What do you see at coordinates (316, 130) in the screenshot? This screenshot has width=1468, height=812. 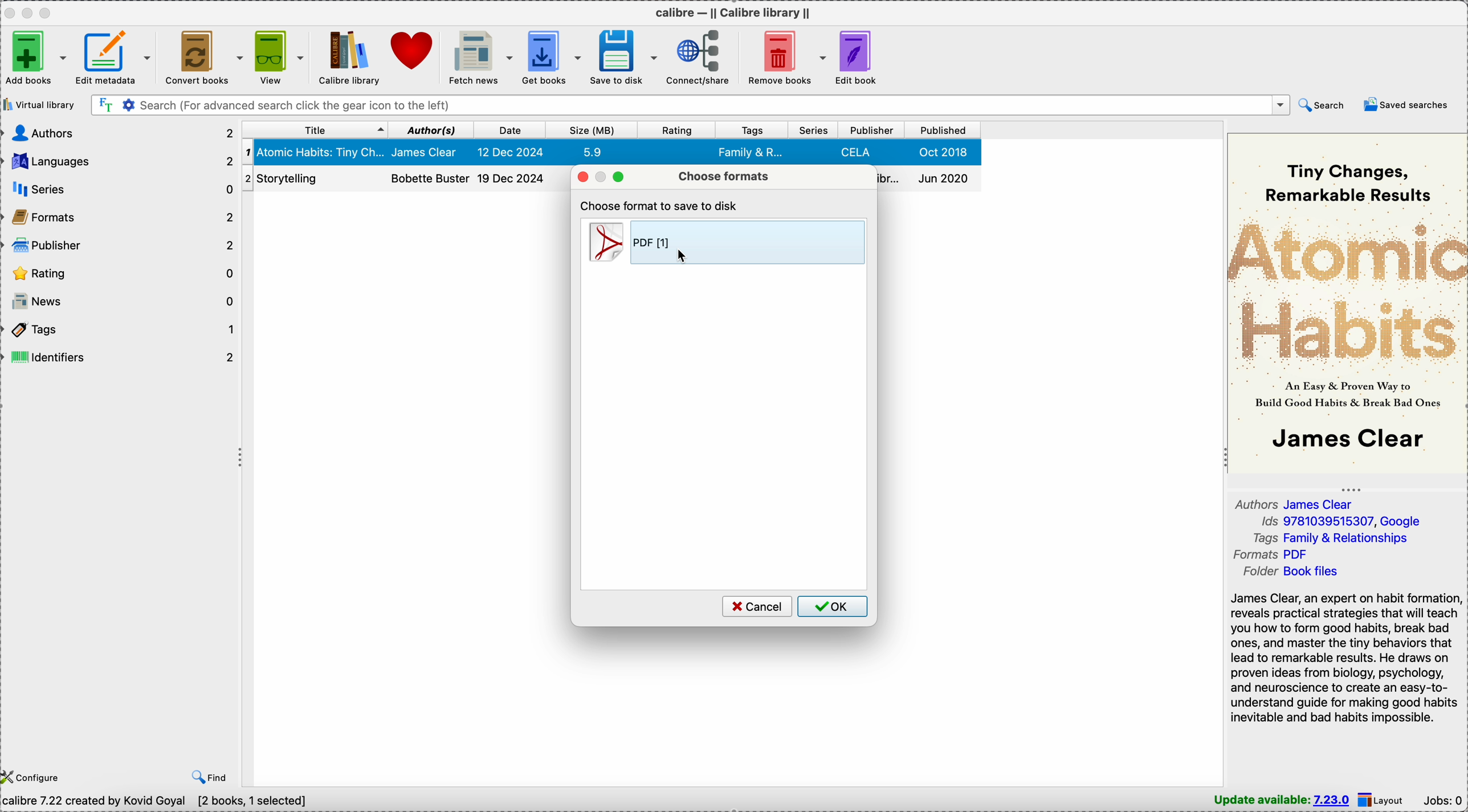 I see `title` at bounding box center [316, 130].